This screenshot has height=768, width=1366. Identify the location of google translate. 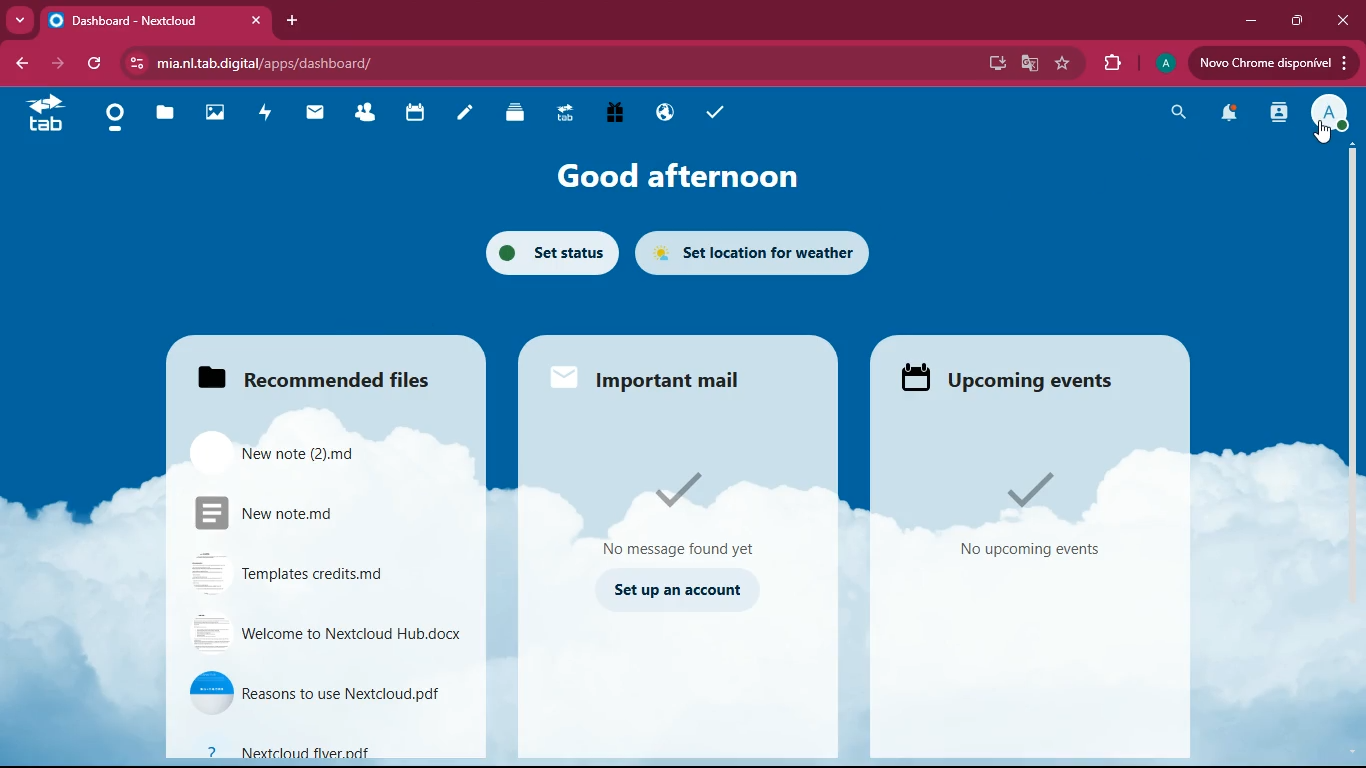
(1030, 62).